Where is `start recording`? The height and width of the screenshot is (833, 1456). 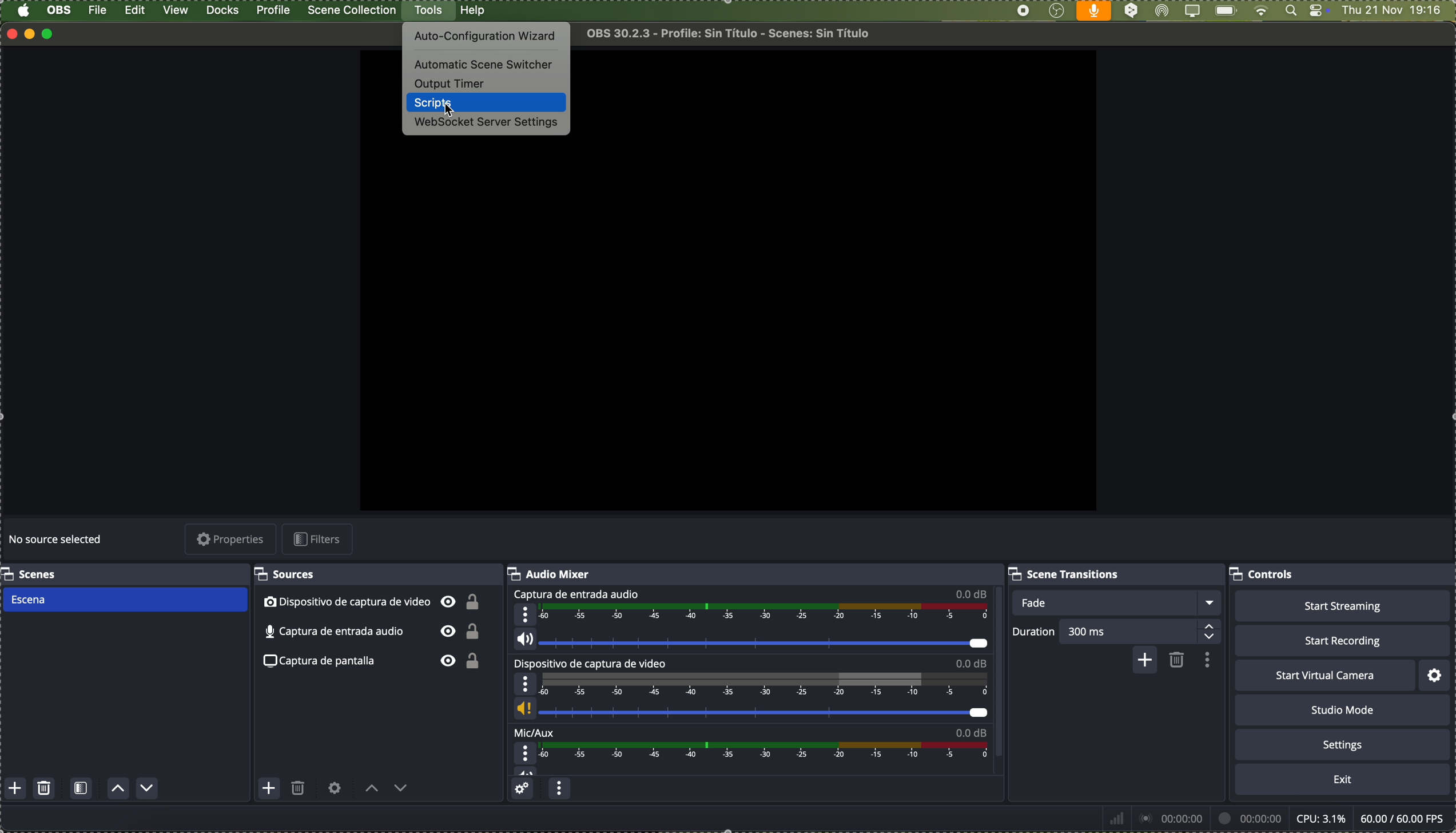
start recording is located at coordinates (1342, 640).